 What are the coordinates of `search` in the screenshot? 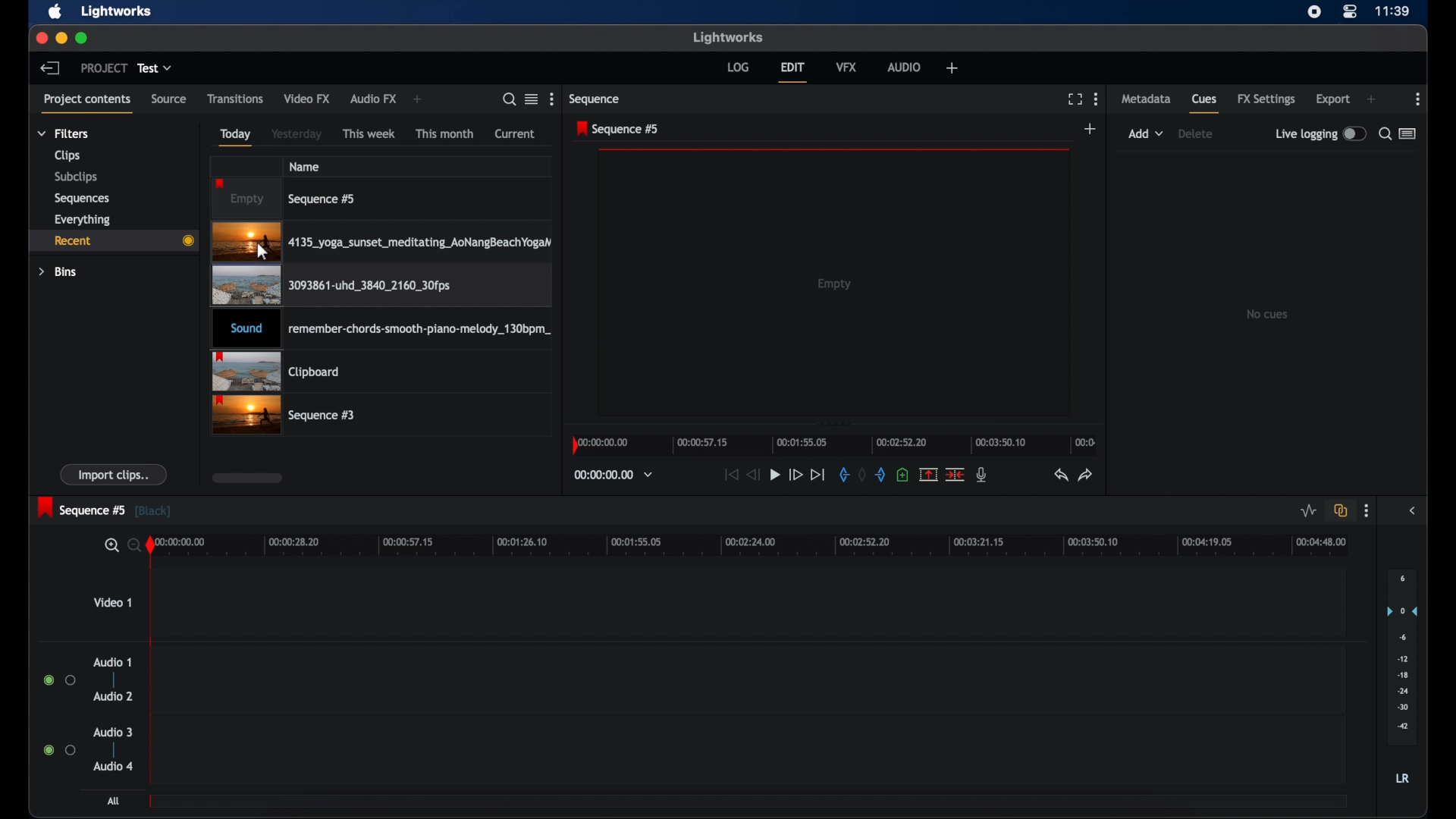 It's located at (510, 100).